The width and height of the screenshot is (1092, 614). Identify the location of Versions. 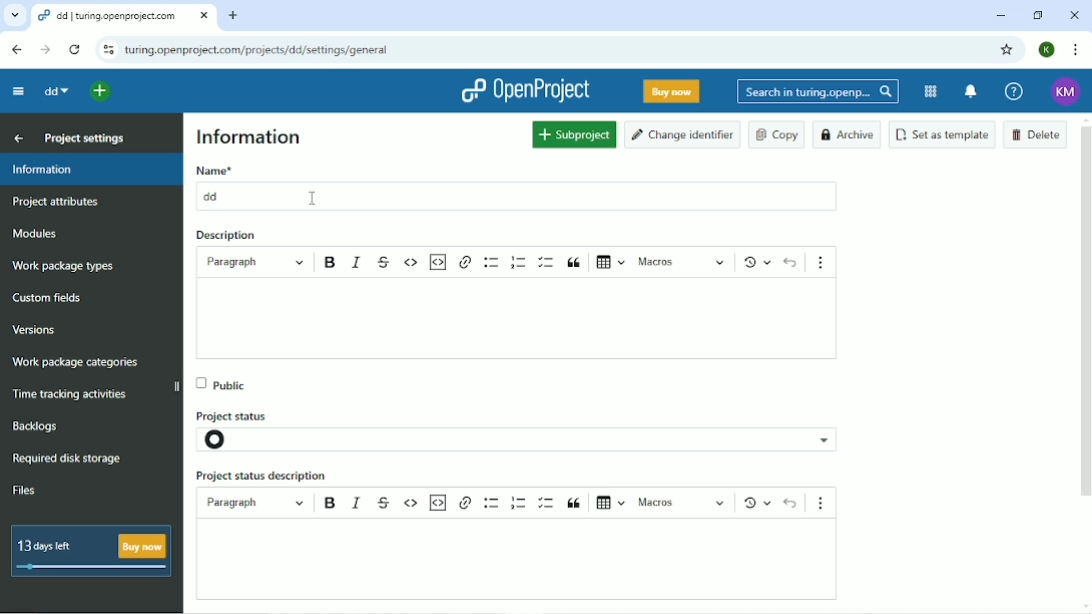
(34, 331).